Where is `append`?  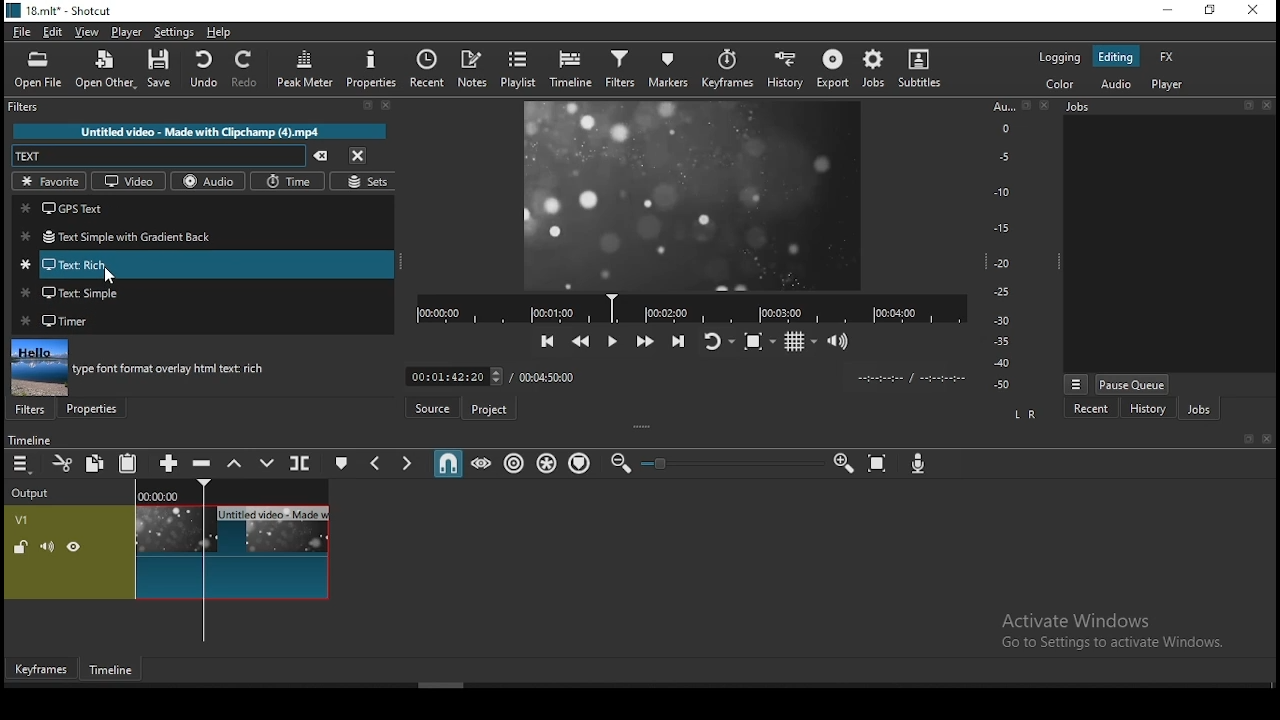 append is located at coordinates (171, 462).